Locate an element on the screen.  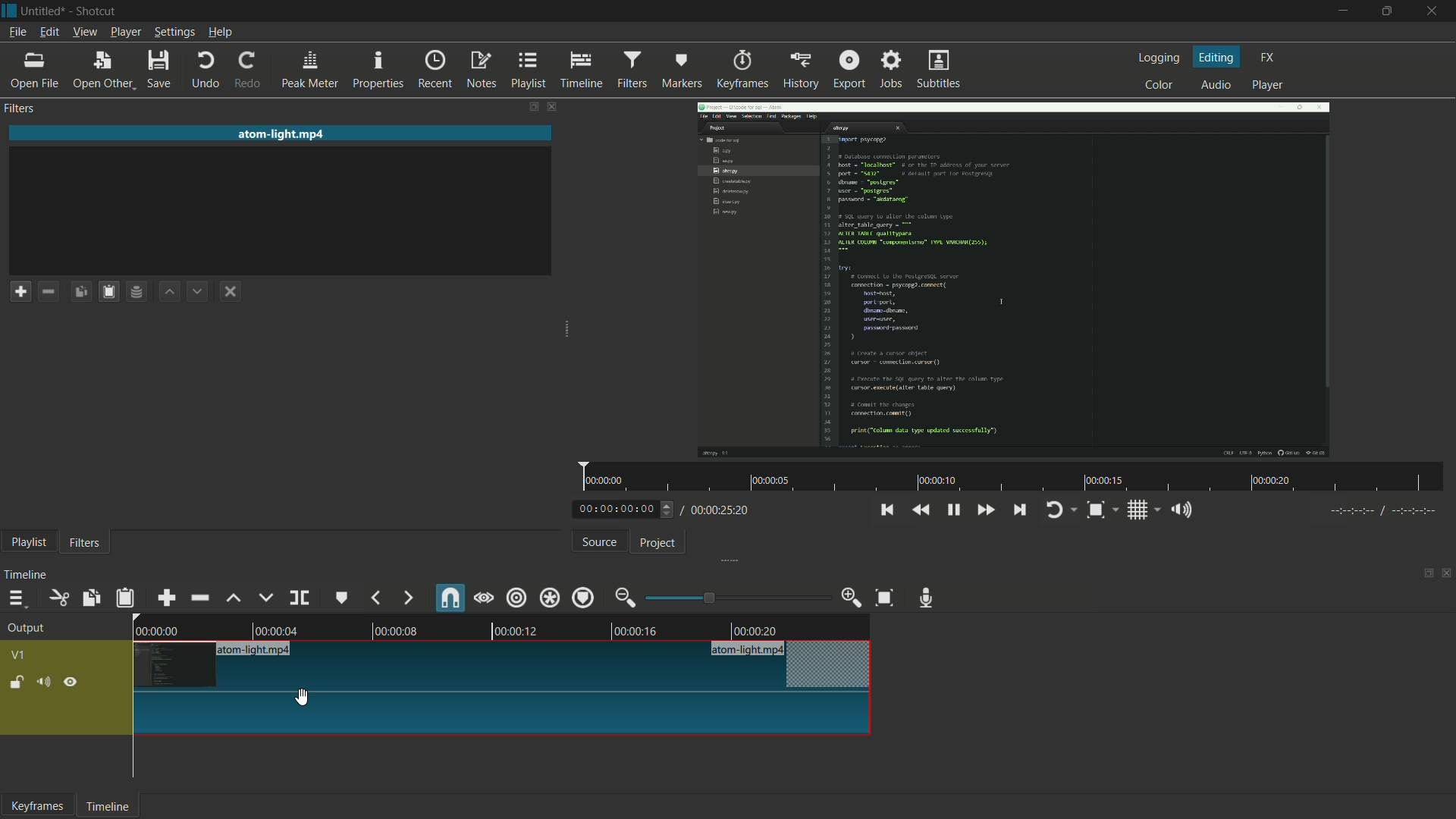
history is located at coordinates (800, 71).